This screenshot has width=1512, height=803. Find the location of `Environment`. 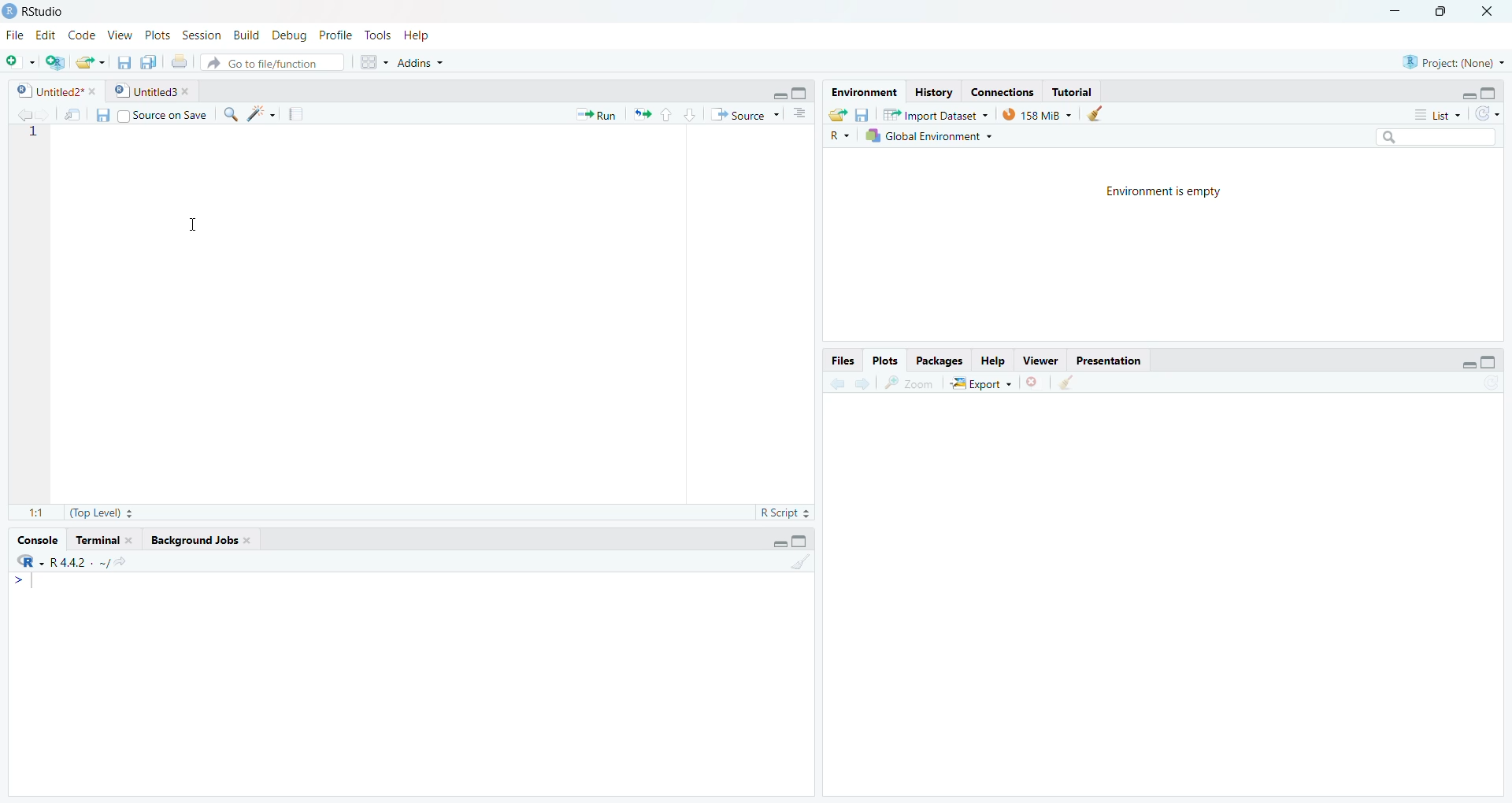

Environment is located at coordinates (862, 91).